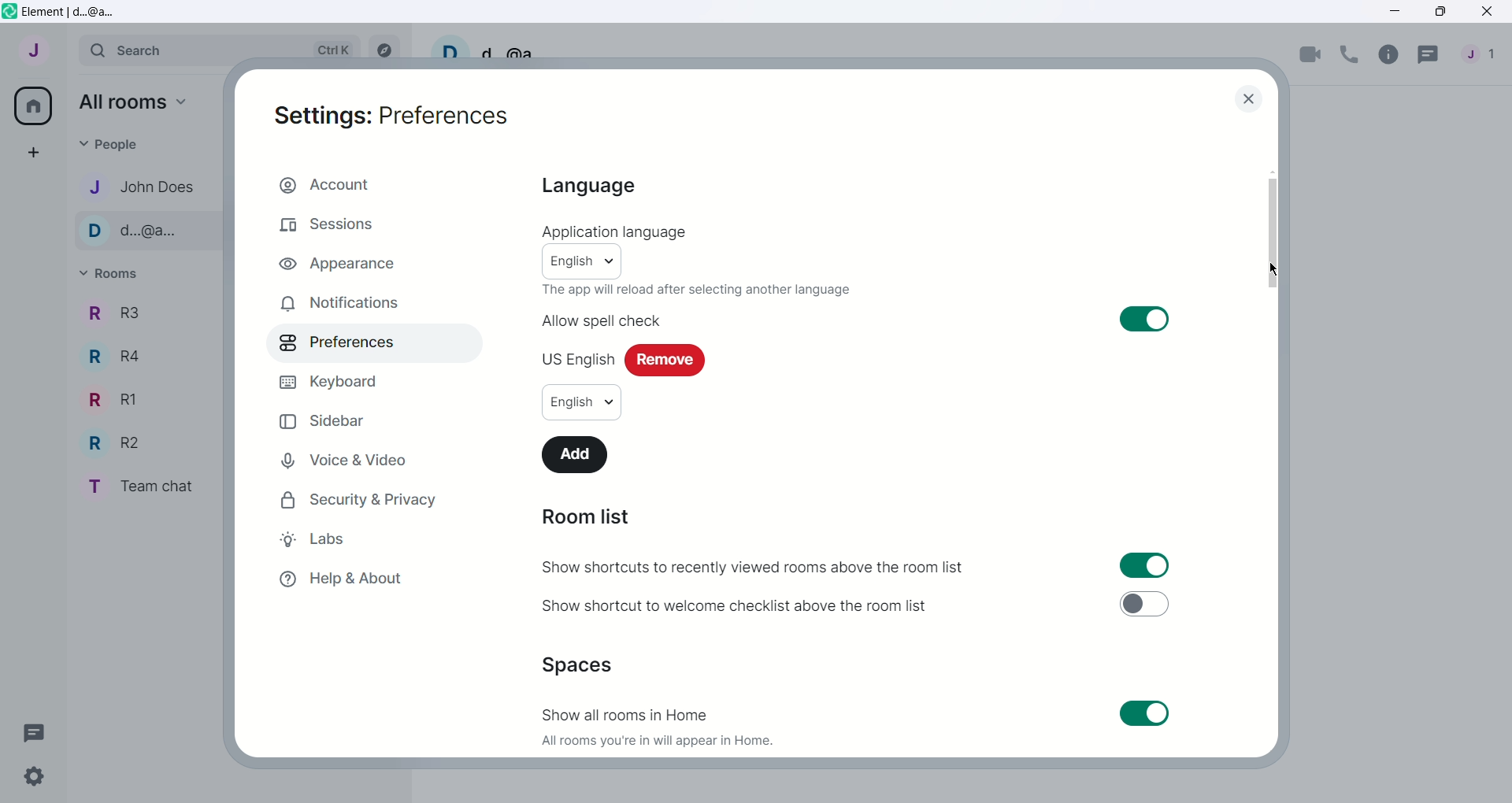 The width and height of the screenshot is (1512, 803). I want to click on Keyboard, so click(351, 382).